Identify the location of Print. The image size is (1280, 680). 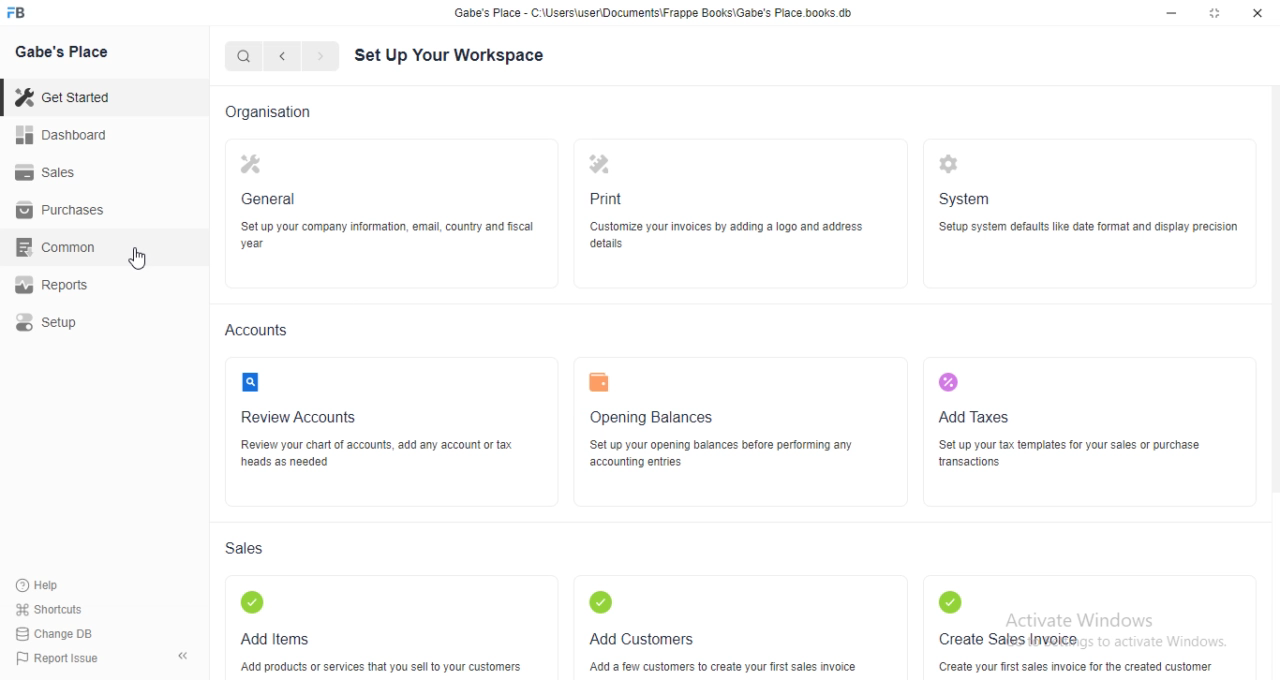
(604, 179).